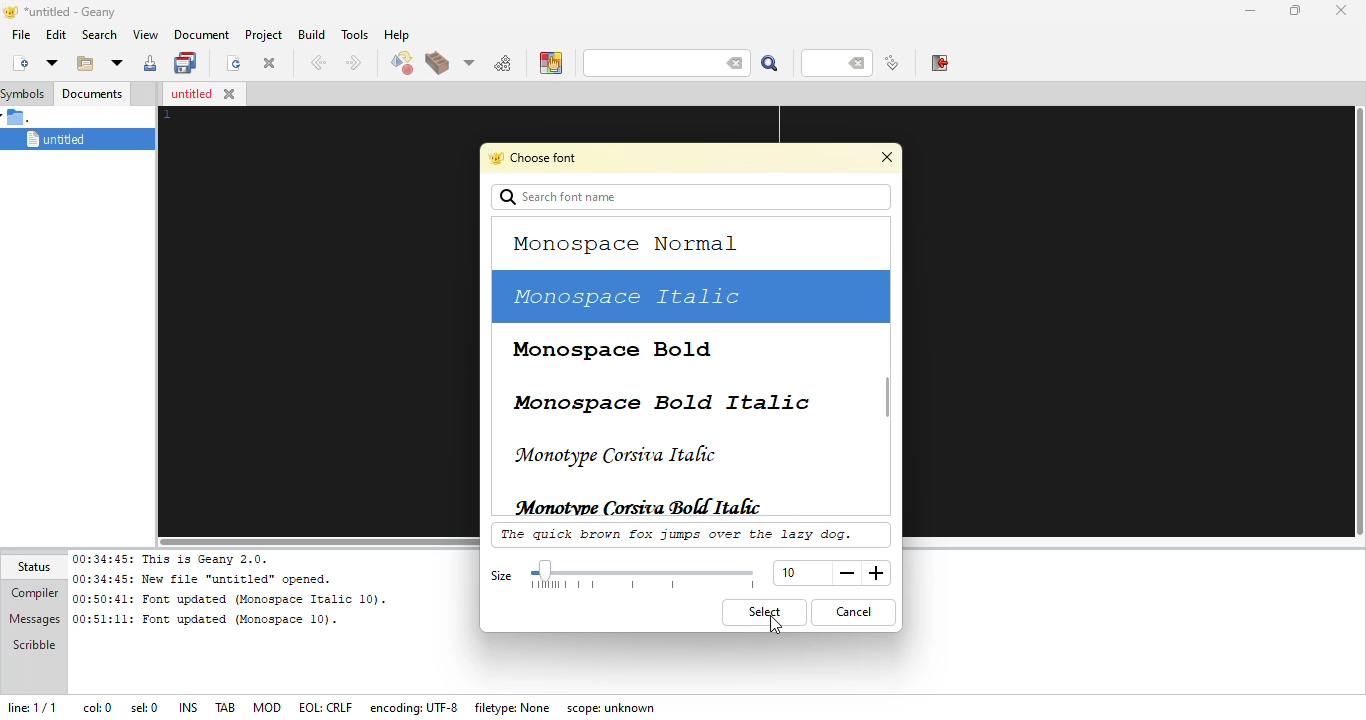 The height and width of the screenshot is (720, 1366). I want to click on symbols, so click(25, 93).